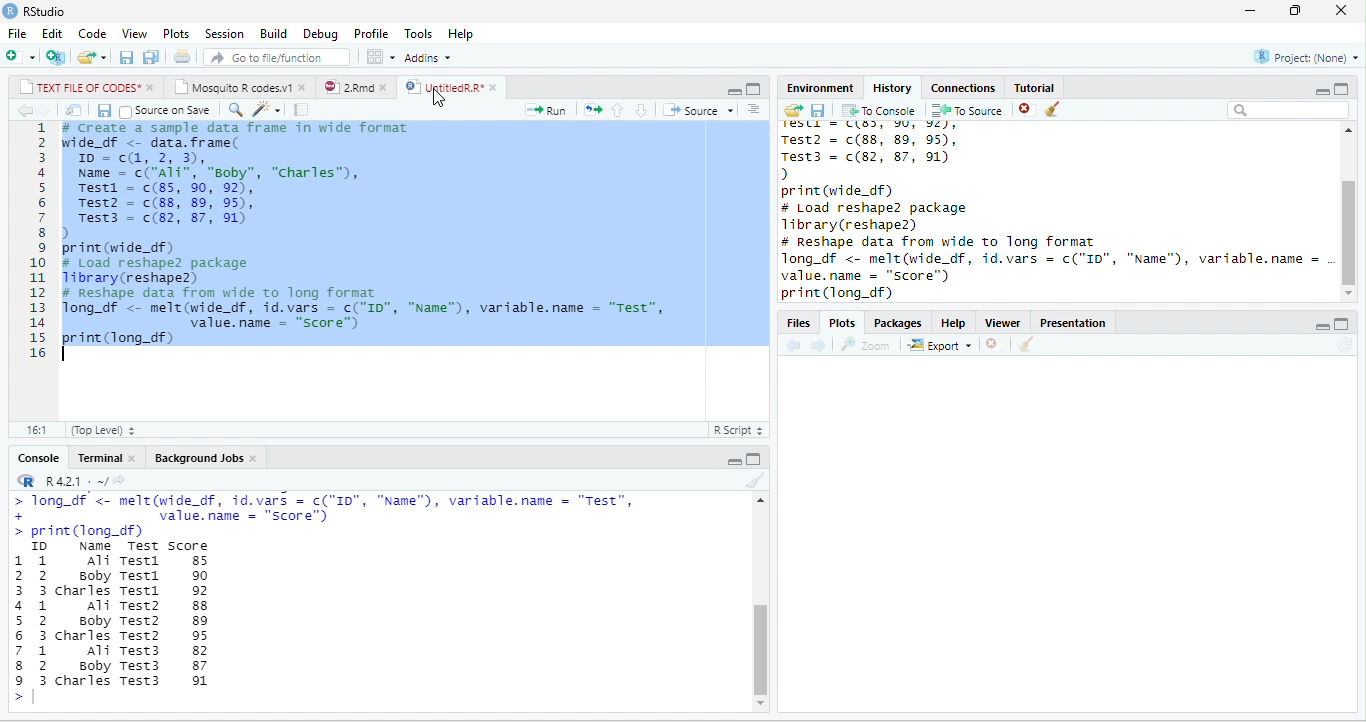 Image resolution: width=1366 pixels, height=722 pixels. Describe the element at coordinates (1322, 326) in the screenshot. I see `minimize` at that location.